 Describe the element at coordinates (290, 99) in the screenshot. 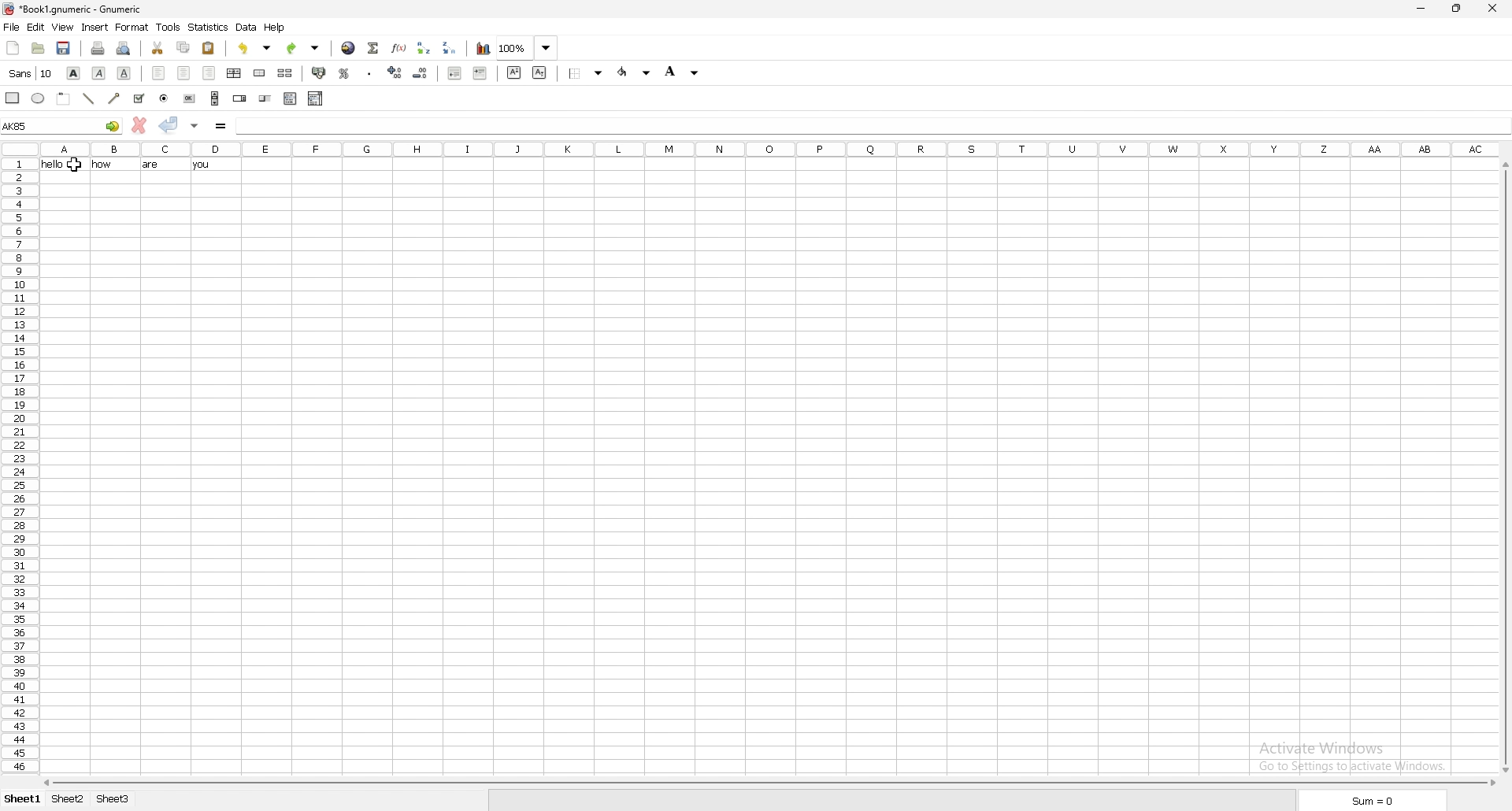

I see `list` at that location.